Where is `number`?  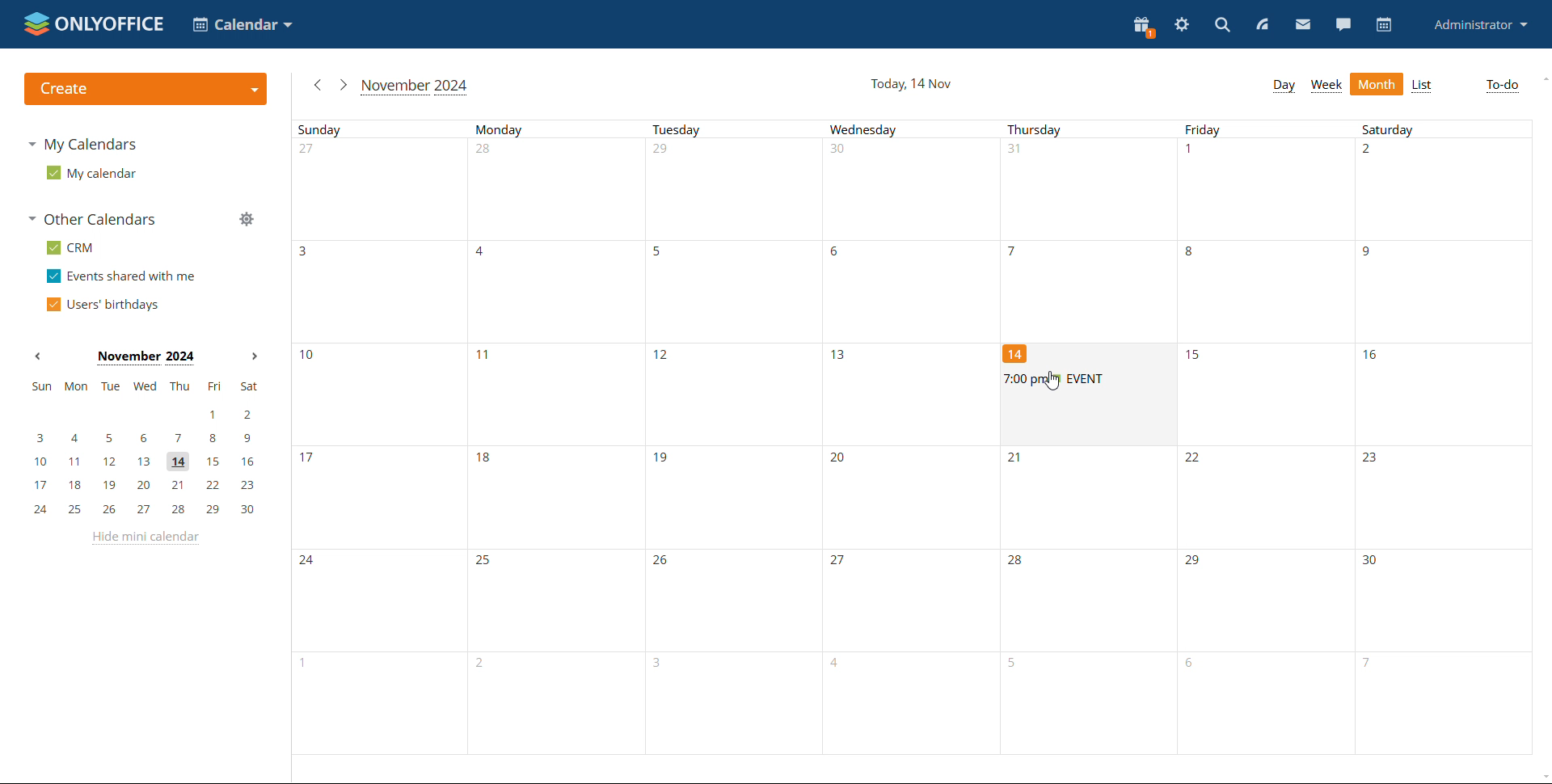 number is located at coordinates (1374, 154).